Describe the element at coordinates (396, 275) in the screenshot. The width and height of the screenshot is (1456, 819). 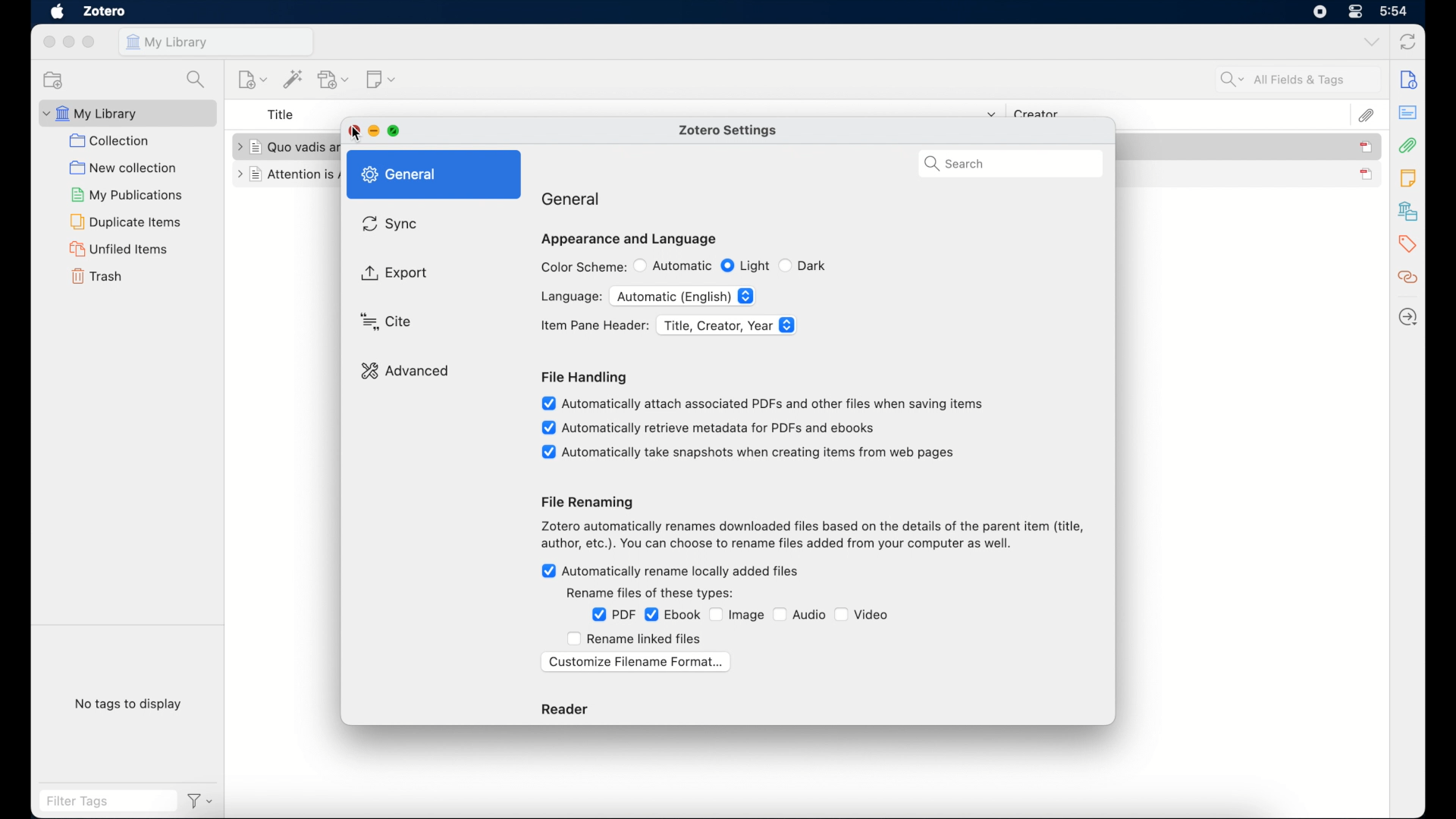
I see `export` at that location.